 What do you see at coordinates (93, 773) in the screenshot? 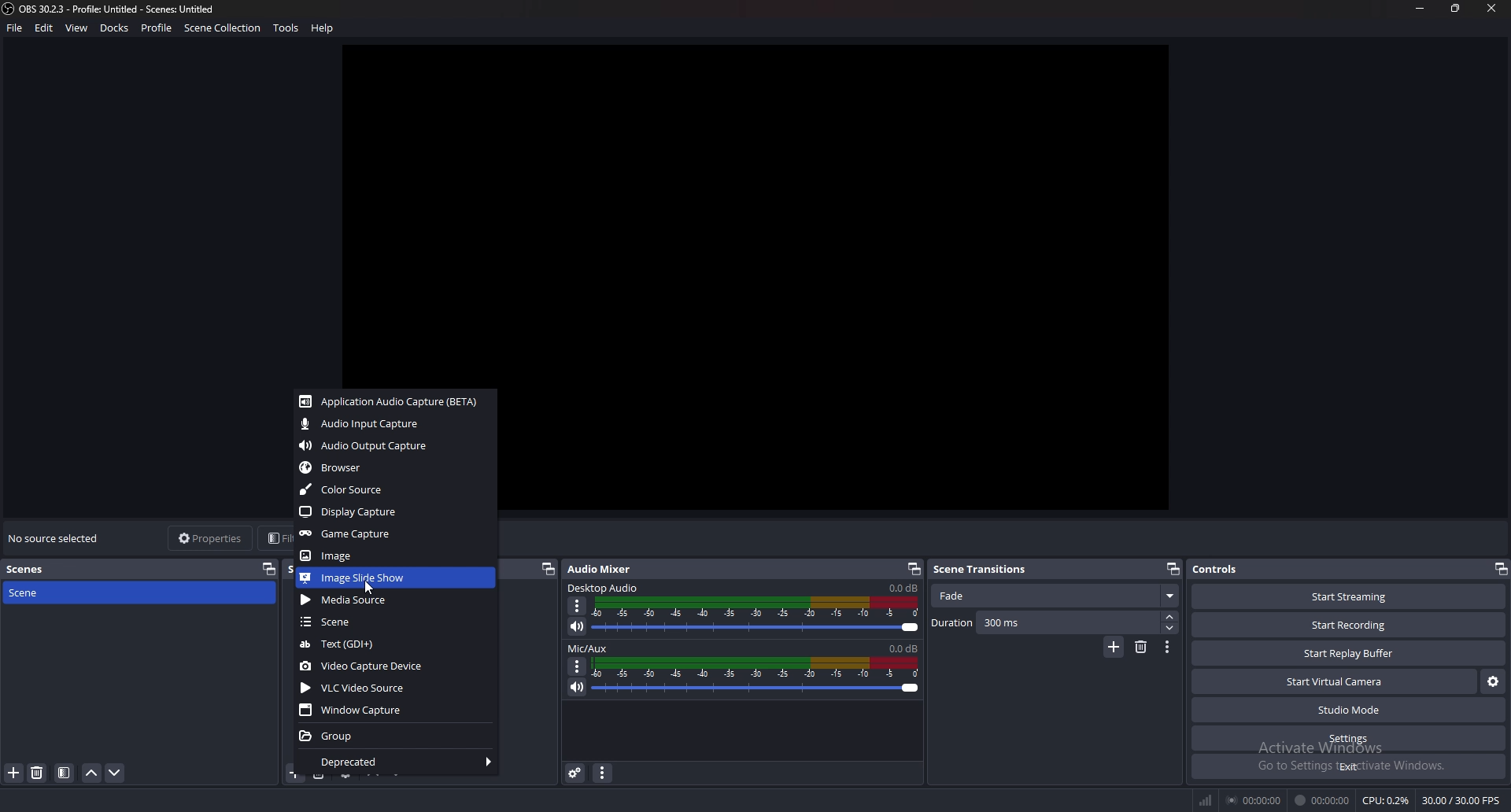
I see `move scene up` at bounding box center [93, 773].